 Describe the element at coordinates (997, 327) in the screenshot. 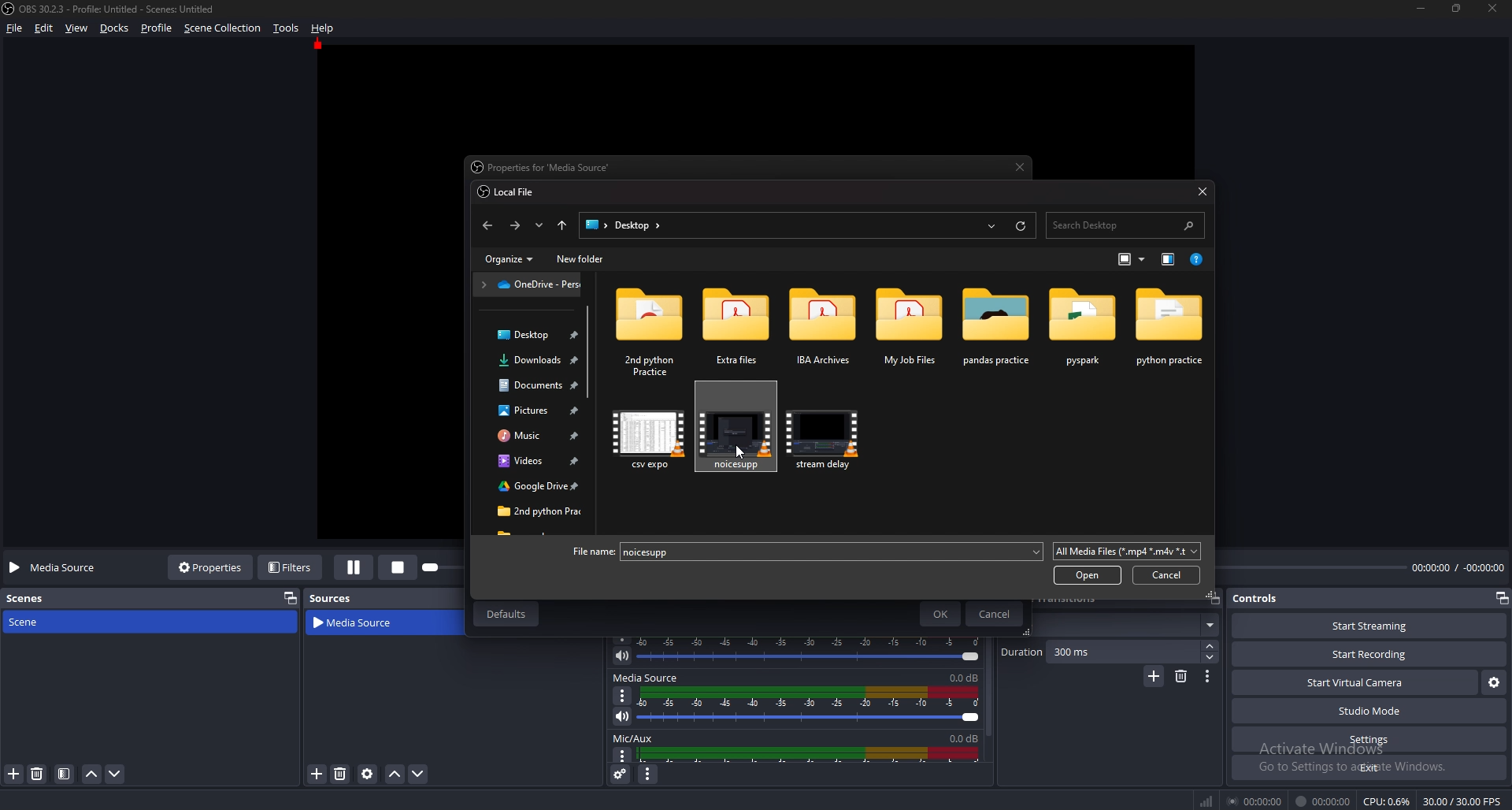

I see `folder` at that location.